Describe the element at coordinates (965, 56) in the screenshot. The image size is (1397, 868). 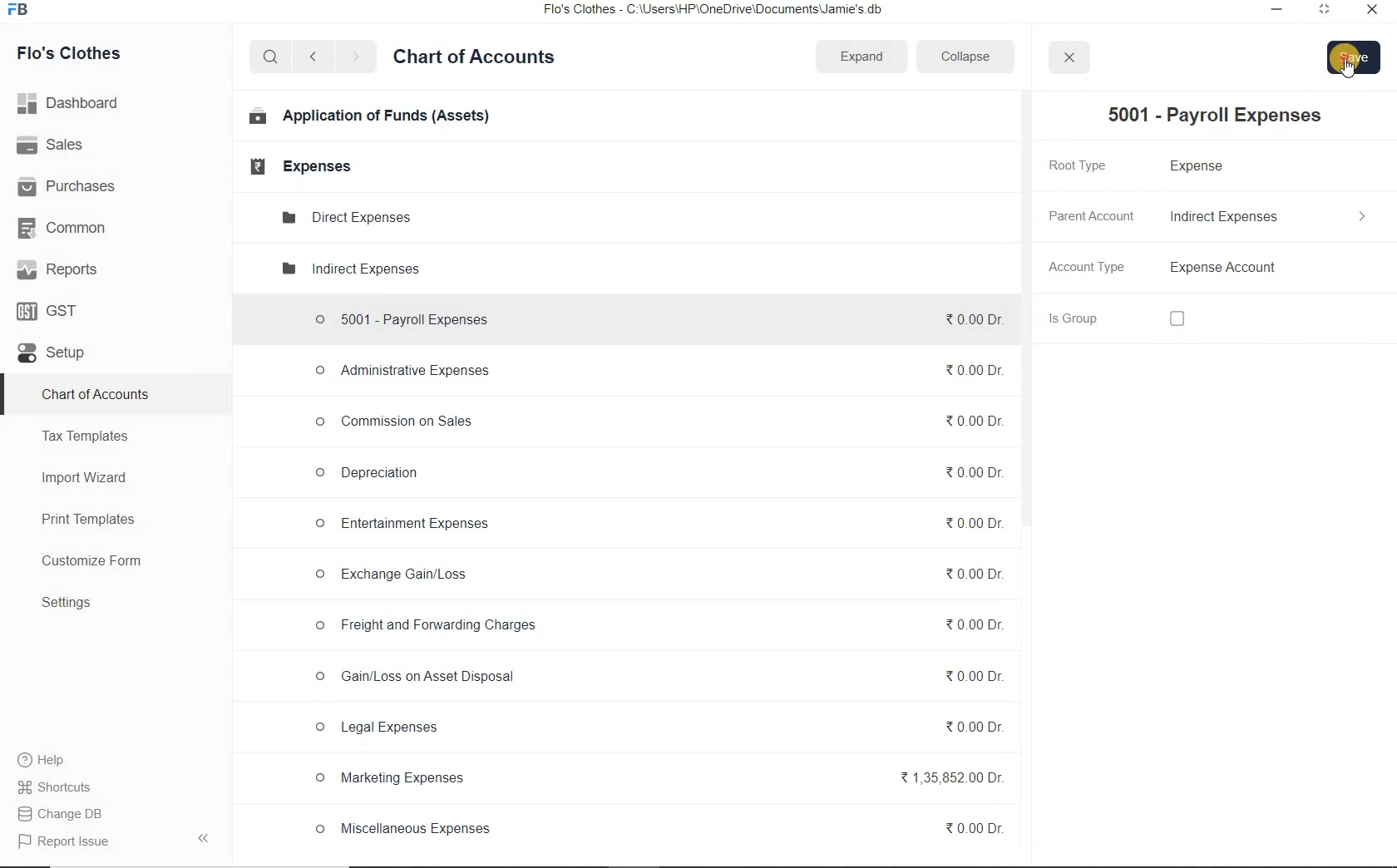
I see `Collapse` at that location.